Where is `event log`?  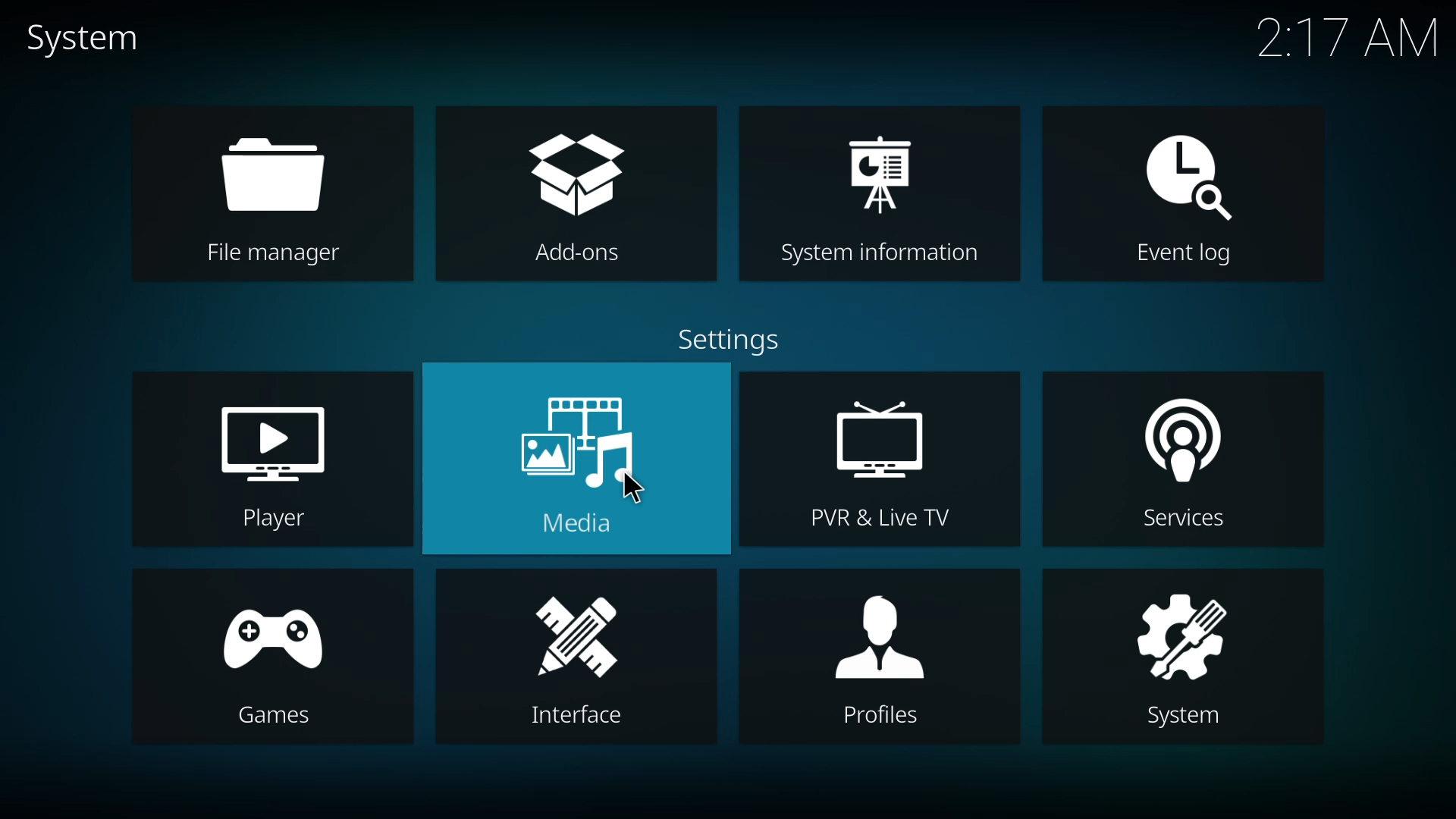
event log is located at coordinates (1192, 196).